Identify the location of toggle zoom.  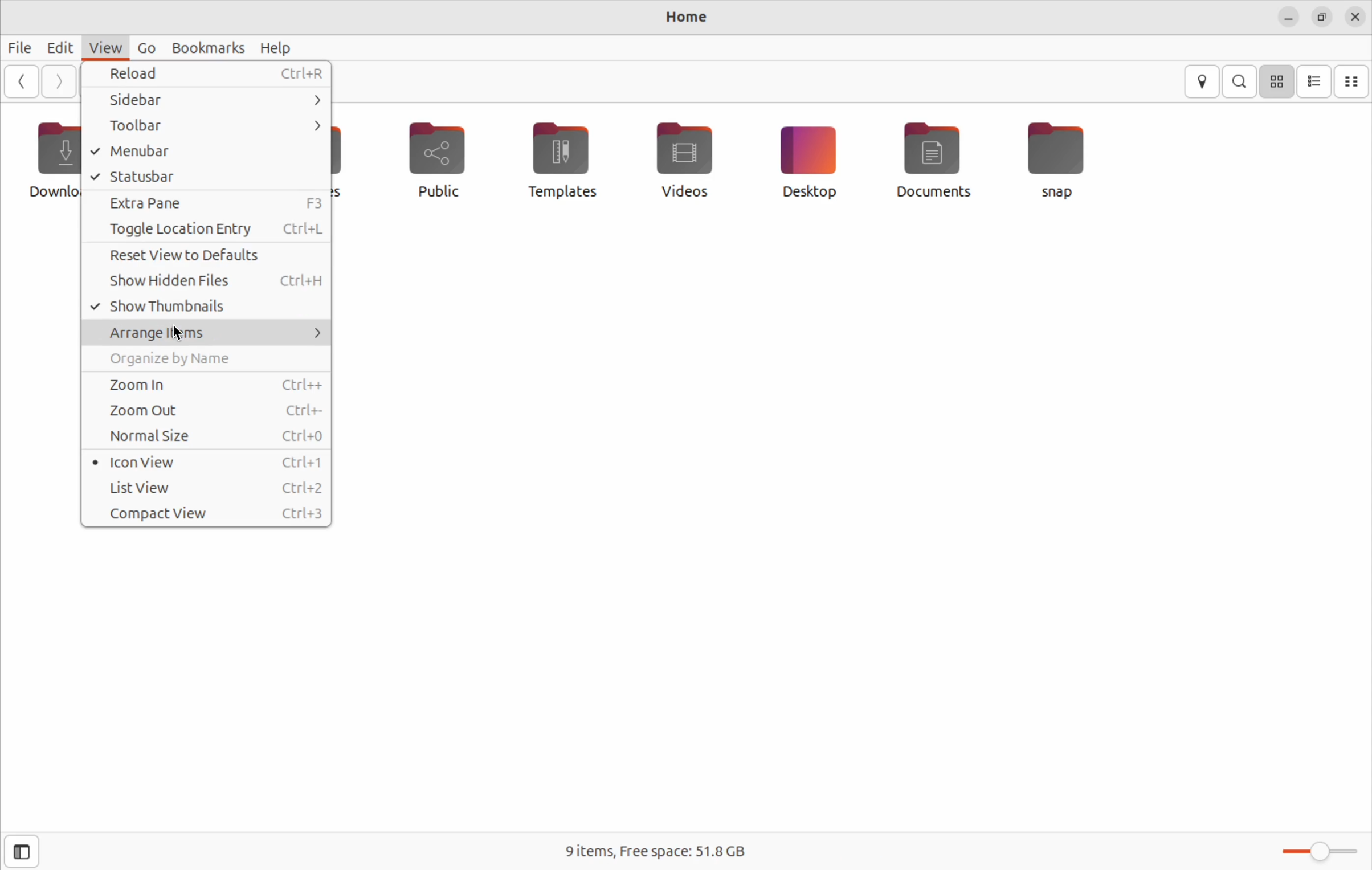
(1312, 852).